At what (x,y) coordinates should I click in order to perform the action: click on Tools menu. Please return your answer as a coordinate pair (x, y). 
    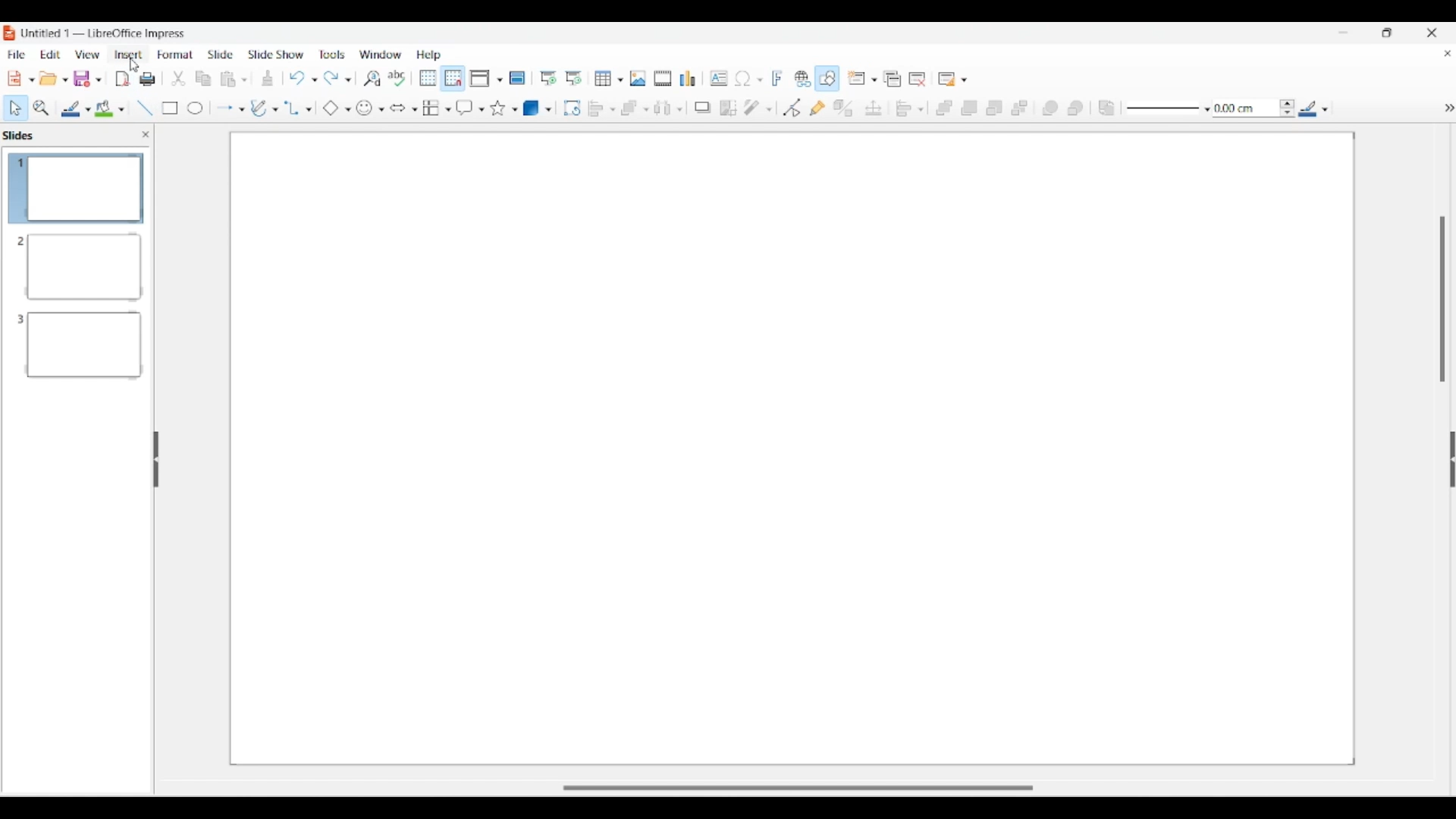
    Looking at the image, I should click on (332, 55).